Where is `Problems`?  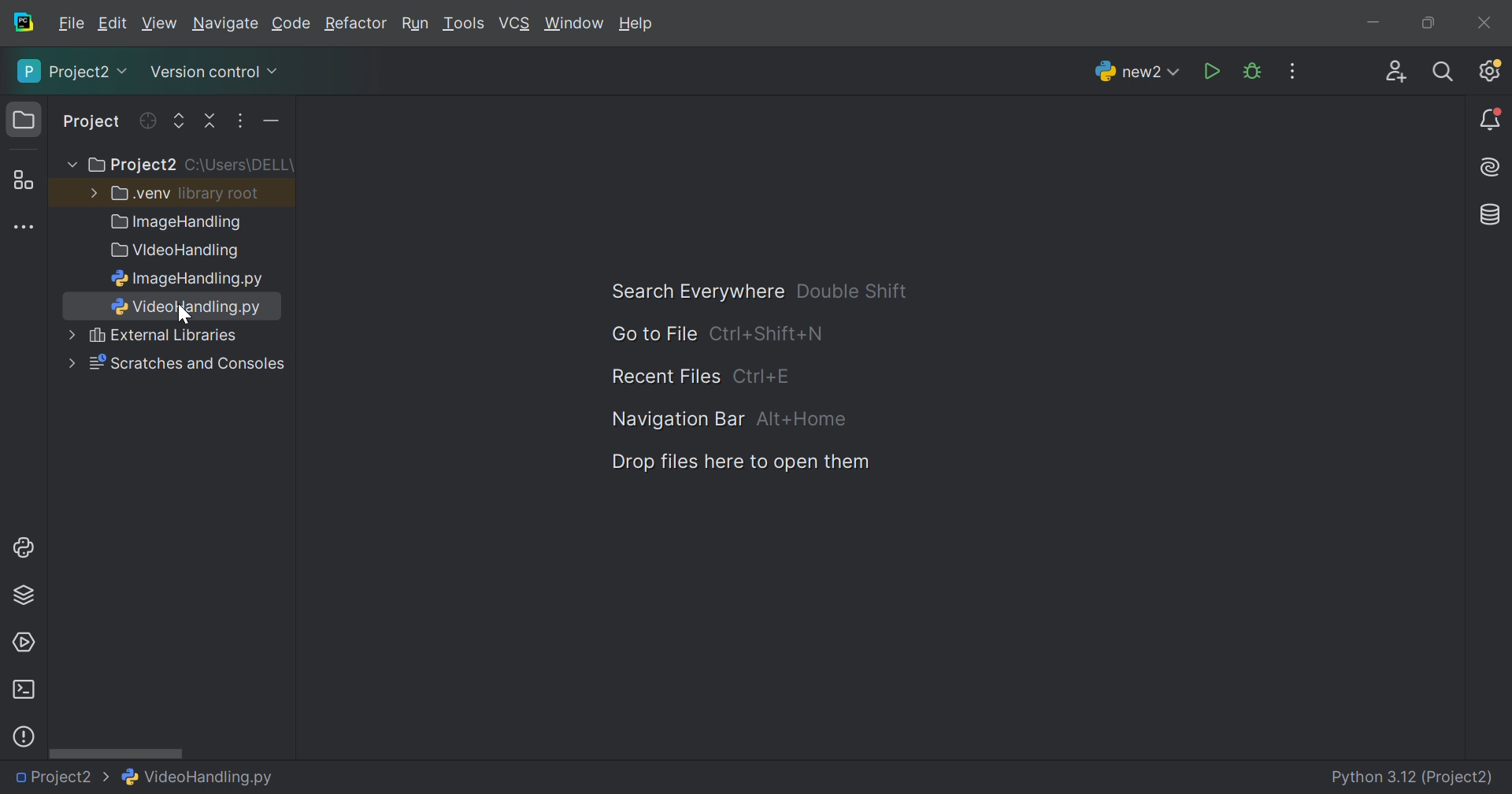 Problems is located at coordinates (24, 736).